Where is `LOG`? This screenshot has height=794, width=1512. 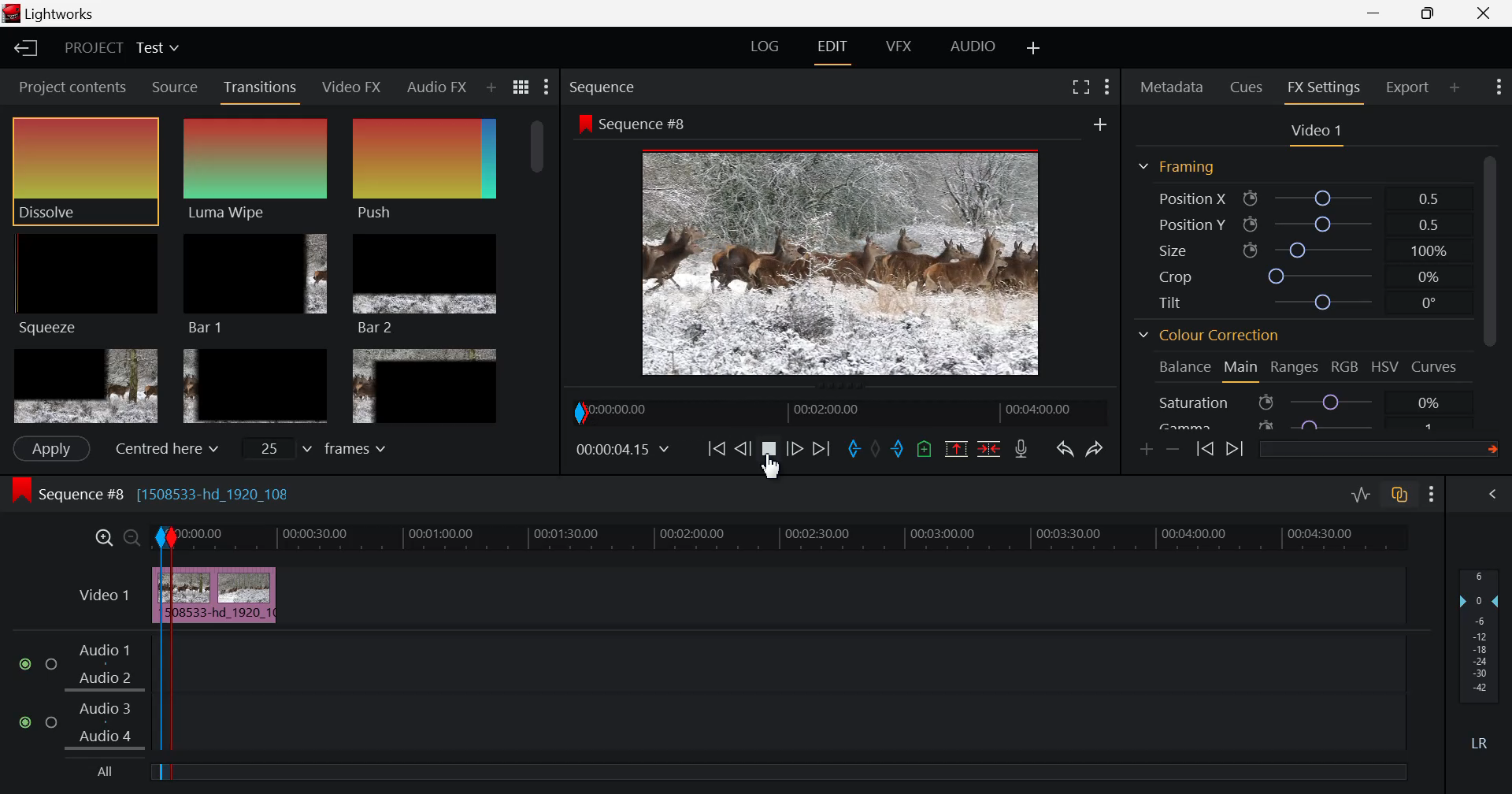 LOG is located at coordinates (765, 49).